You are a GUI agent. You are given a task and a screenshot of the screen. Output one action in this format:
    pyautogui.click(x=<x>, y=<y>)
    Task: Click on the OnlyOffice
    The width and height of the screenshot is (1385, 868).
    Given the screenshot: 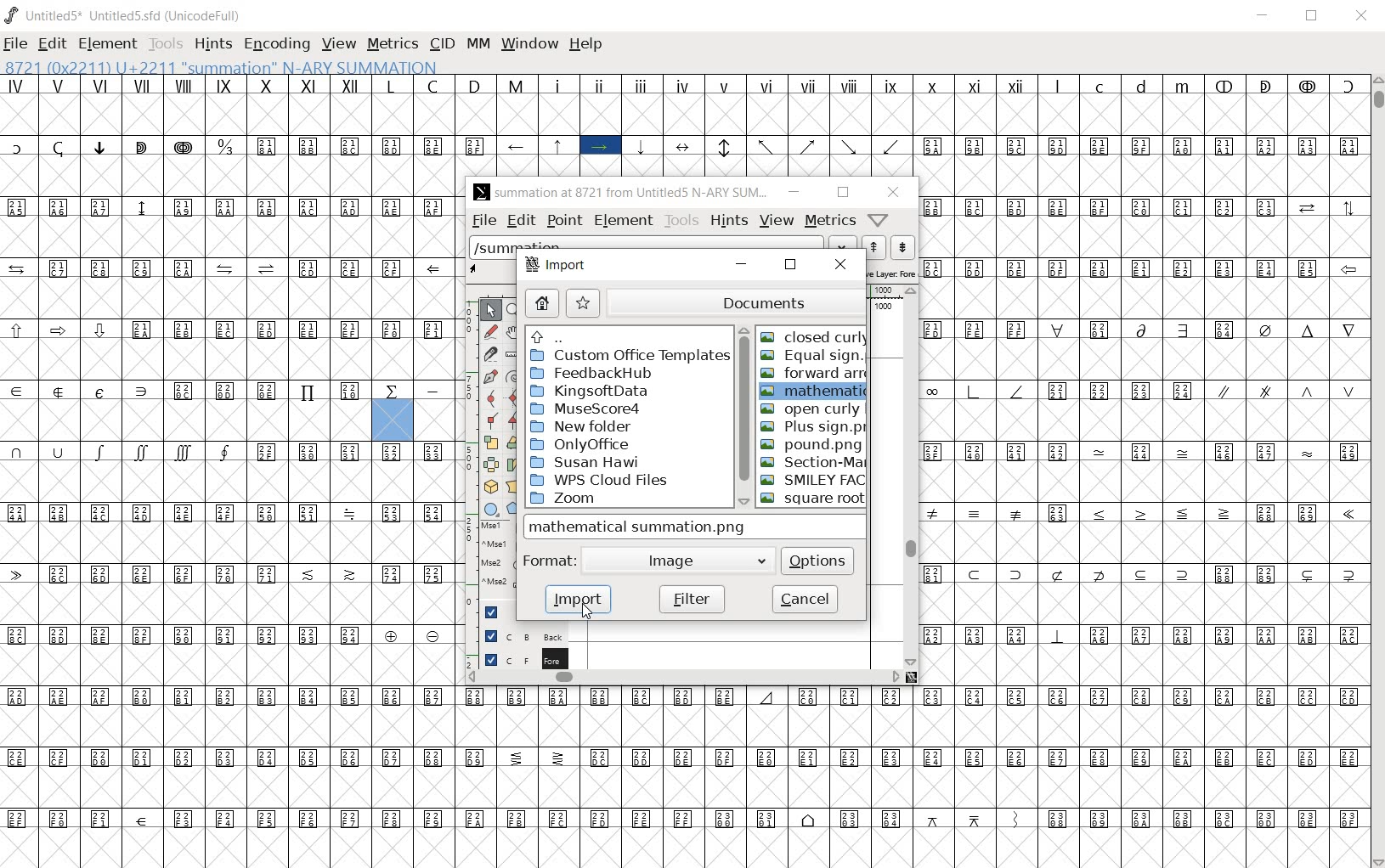 What is the action you would take?
    pyautogui.click(x=580, y=444)
    